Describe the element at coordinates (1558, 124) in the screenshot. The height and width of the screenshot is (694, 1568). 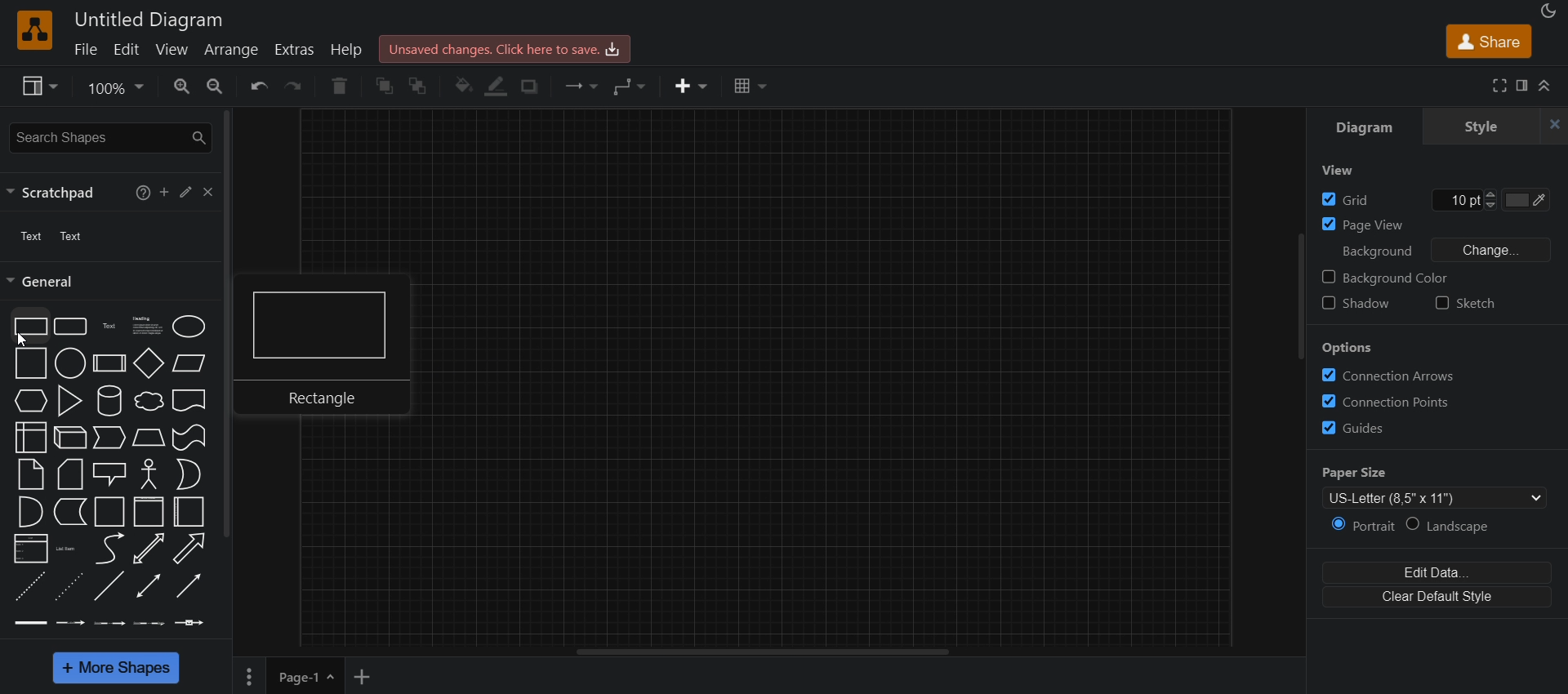
I see `close` at that location.